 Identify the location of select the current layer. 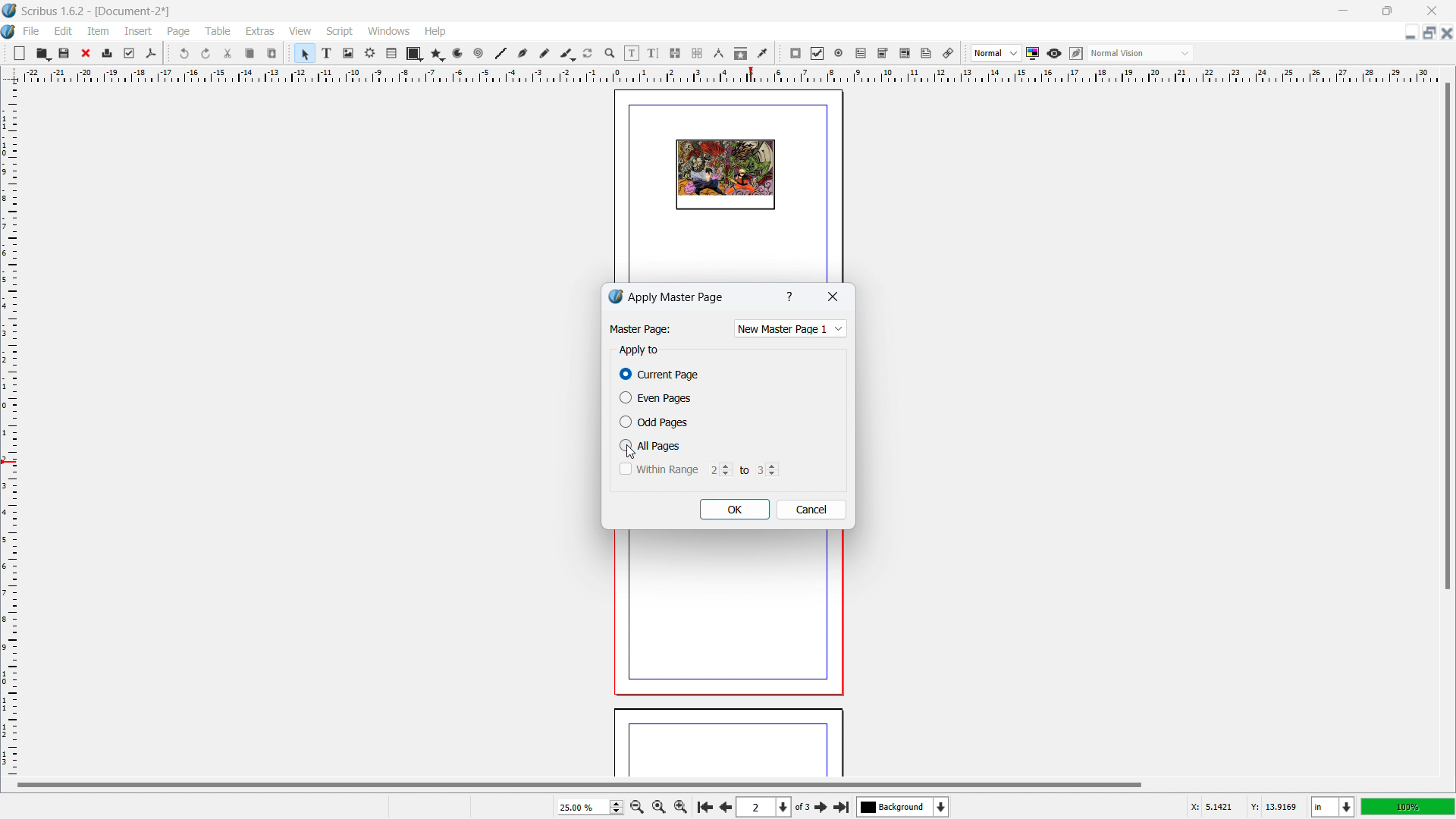
(903, 807).